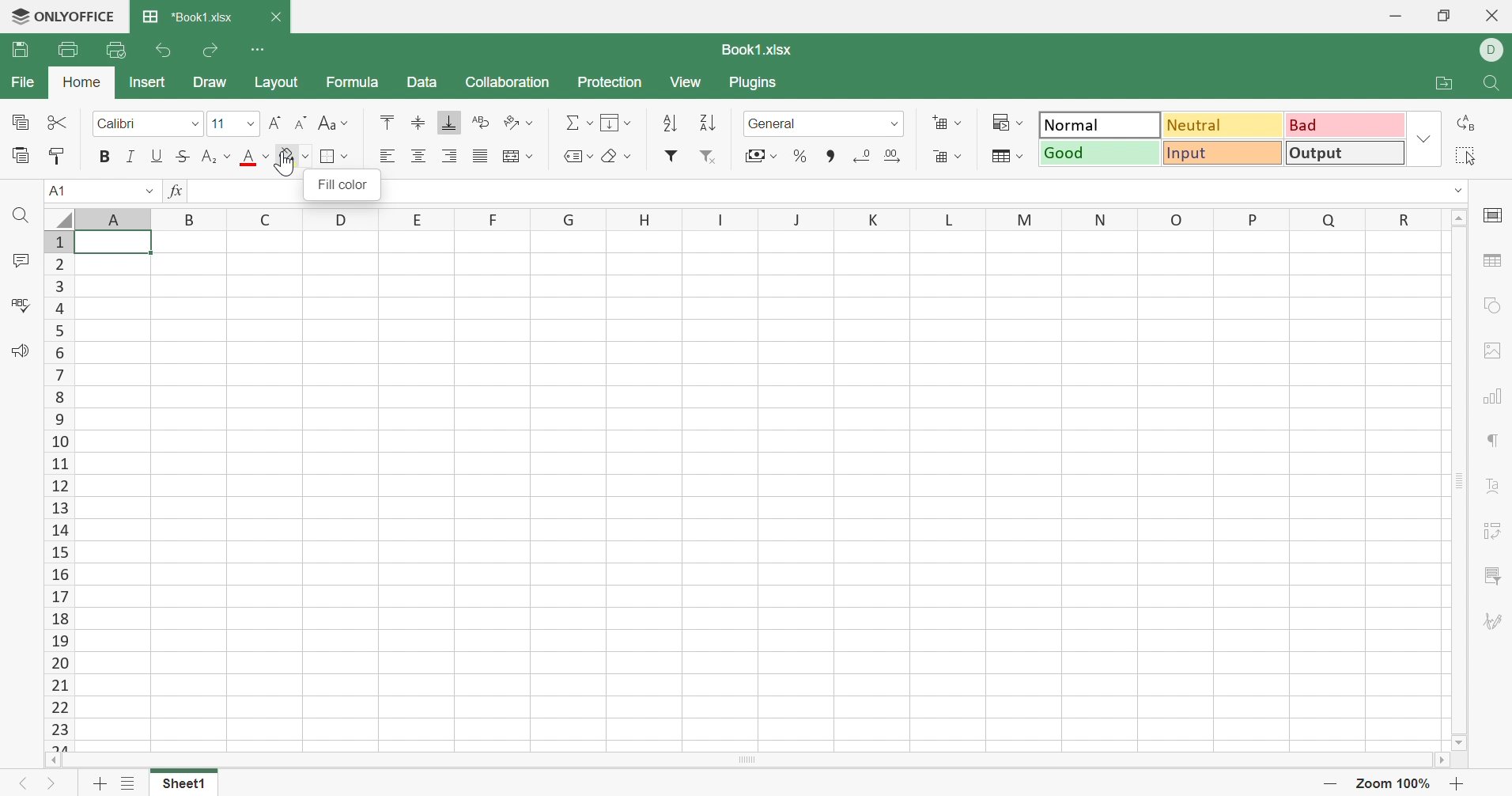  Describe the element at coordinates (157, 154) in the screenshot. I see `Underline` at that location.